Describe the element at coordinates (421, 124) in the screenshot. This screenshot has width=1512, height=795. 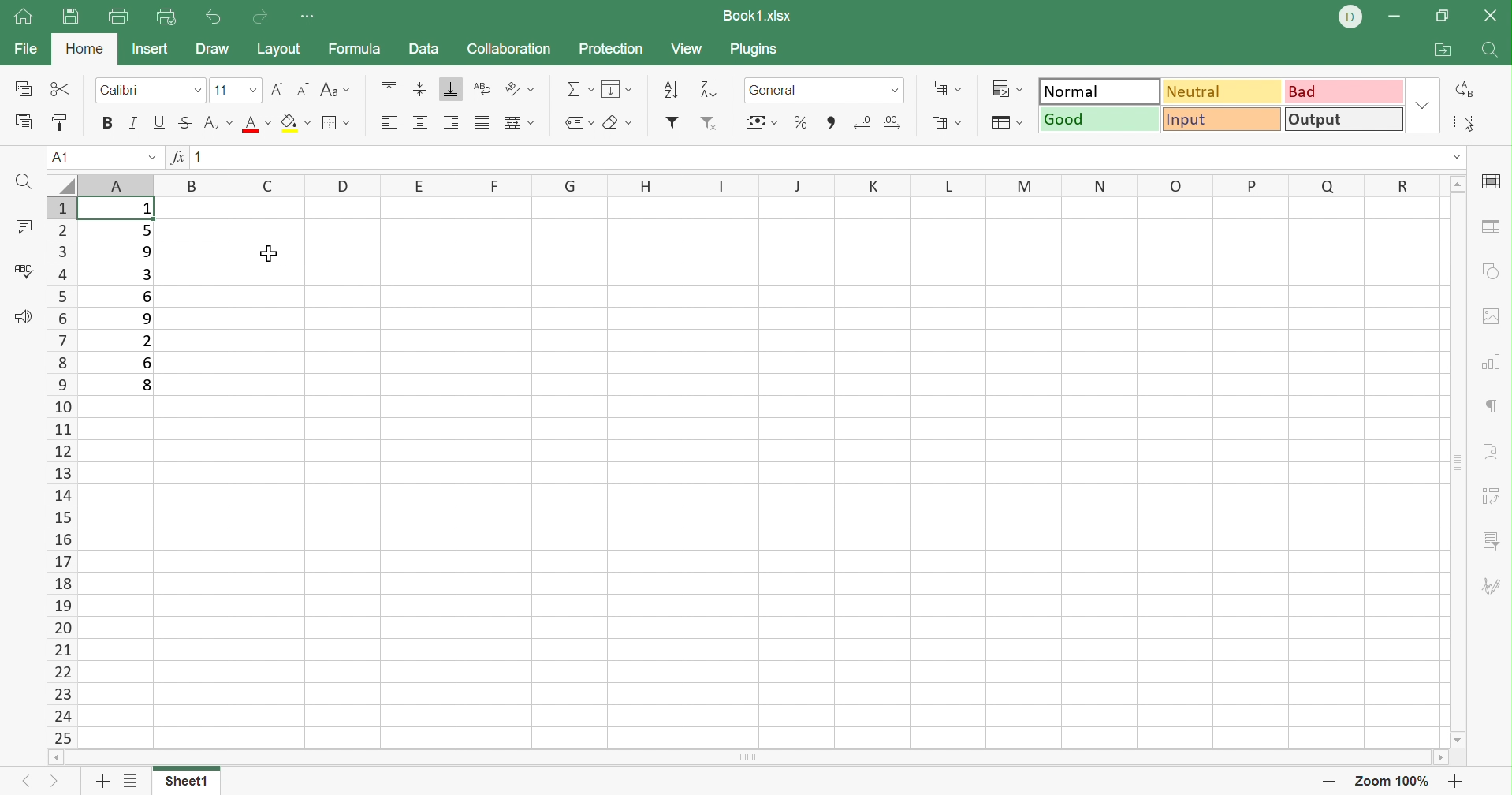
I see `Align center` at that location.